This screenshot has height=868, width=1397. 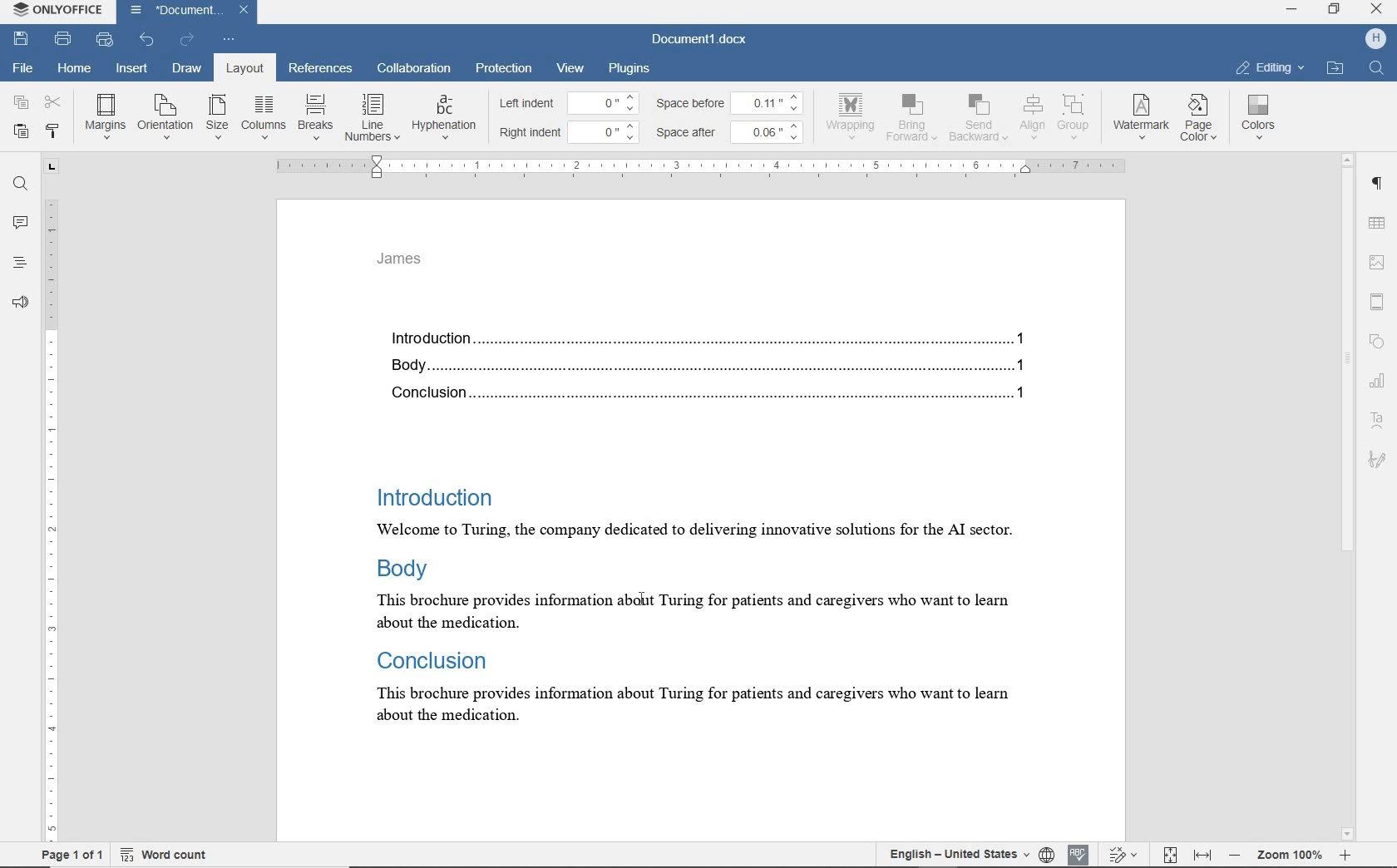 I want to click on plugins, so click(x=632, y=67).